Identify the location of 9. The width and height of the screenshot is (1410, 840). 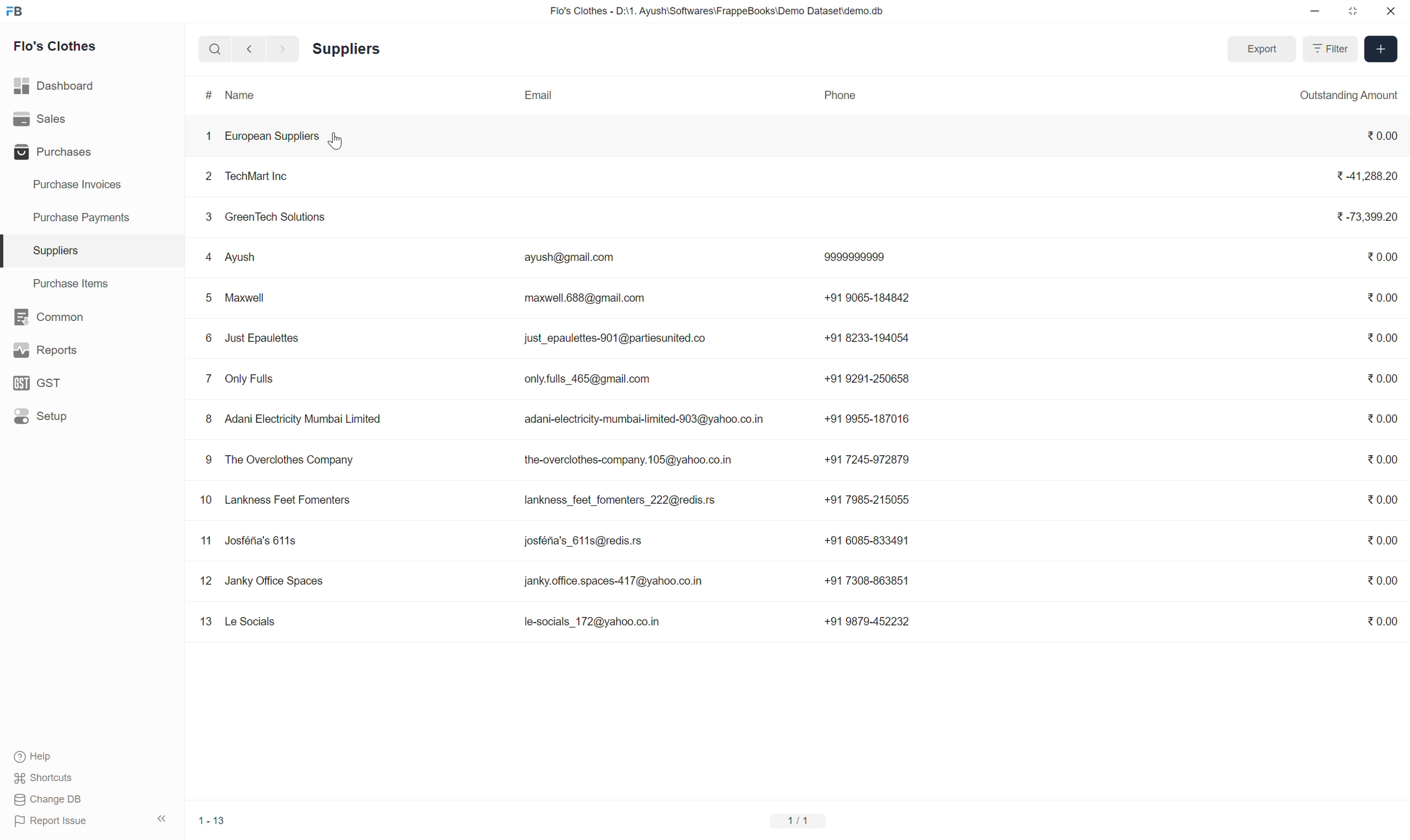
(202, 459).